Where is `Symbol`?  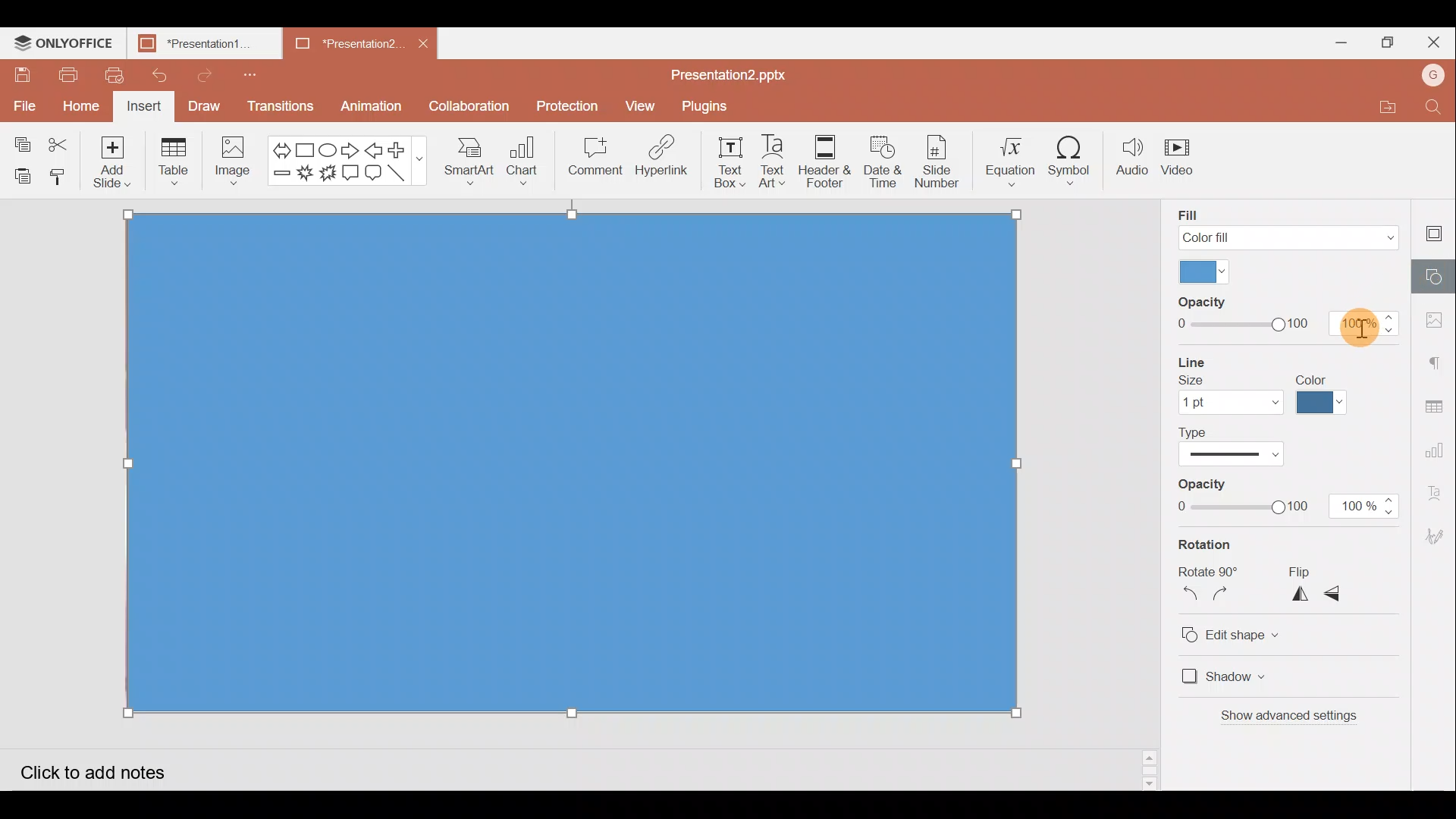 Symbol is located at coordinates (1075, 160).